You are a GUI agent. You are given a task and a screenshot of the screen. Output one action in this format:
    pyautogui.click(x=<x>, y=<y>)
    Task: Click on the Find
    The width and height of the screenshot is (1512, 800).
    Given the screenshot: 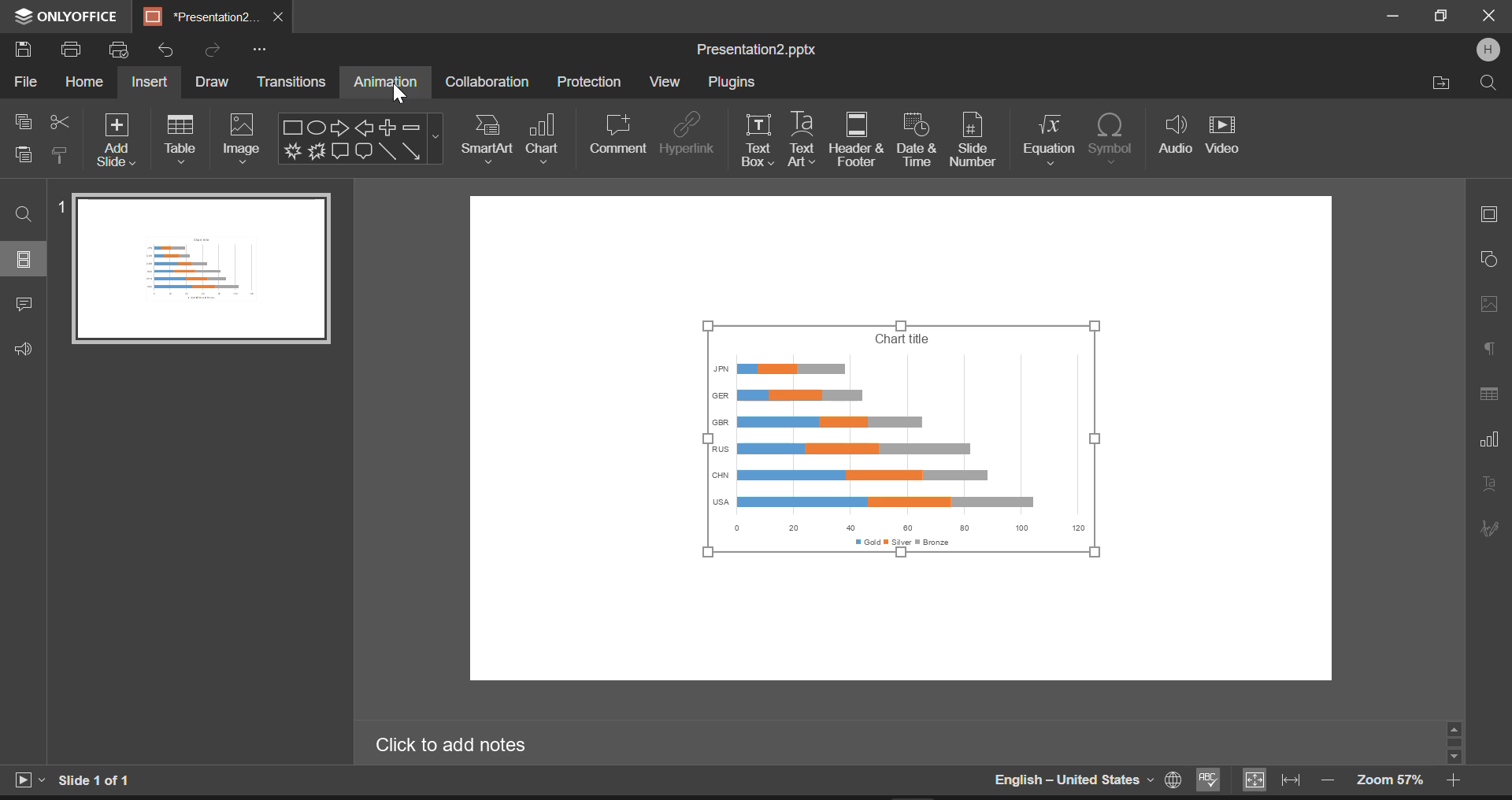 What is the action you would take?
    pyautogui.click(x=24, y=213)
    